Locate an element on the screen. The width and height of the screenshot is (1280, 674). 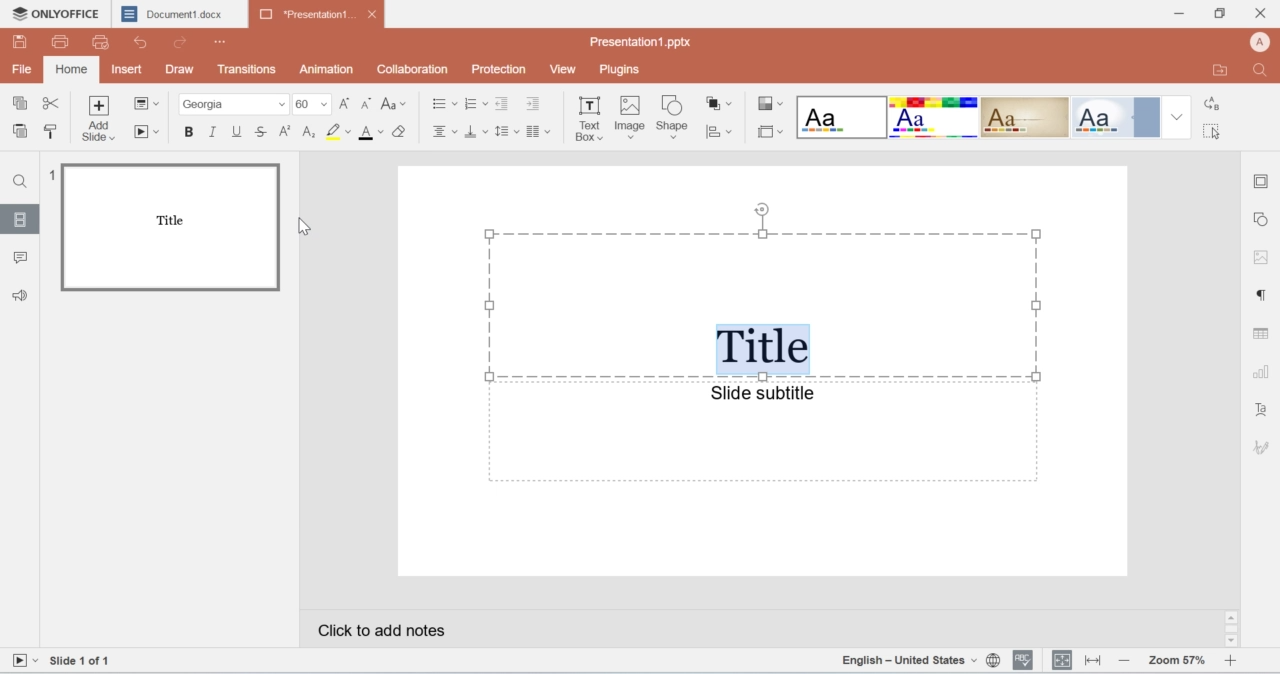
alignment is located at coordinates (1062, 660).